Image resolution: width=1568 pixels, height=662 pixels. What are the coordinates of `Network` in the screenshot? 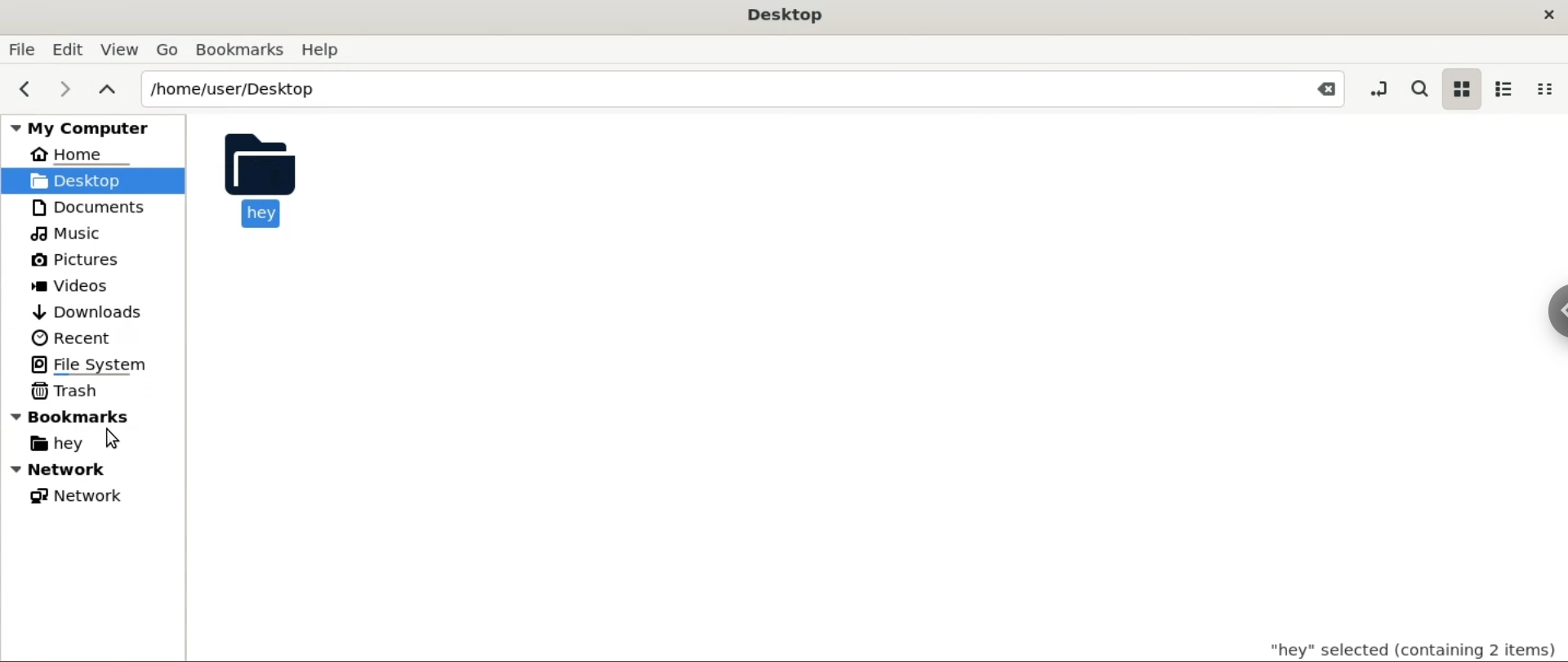 It's located at (78, 497).